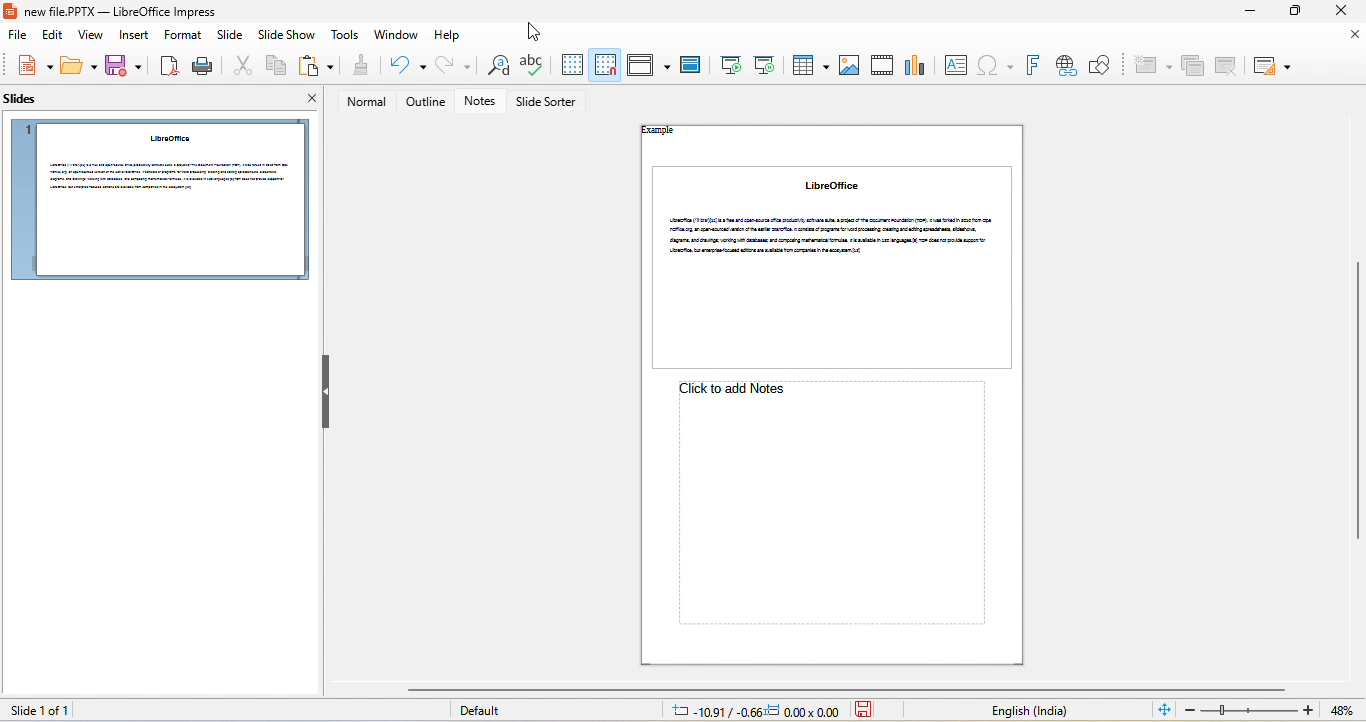 The height and width of the screenshot is (722, 1366). Describe the element at coordinates (690, 66) in the screenshot. I see `master slide` at that location.